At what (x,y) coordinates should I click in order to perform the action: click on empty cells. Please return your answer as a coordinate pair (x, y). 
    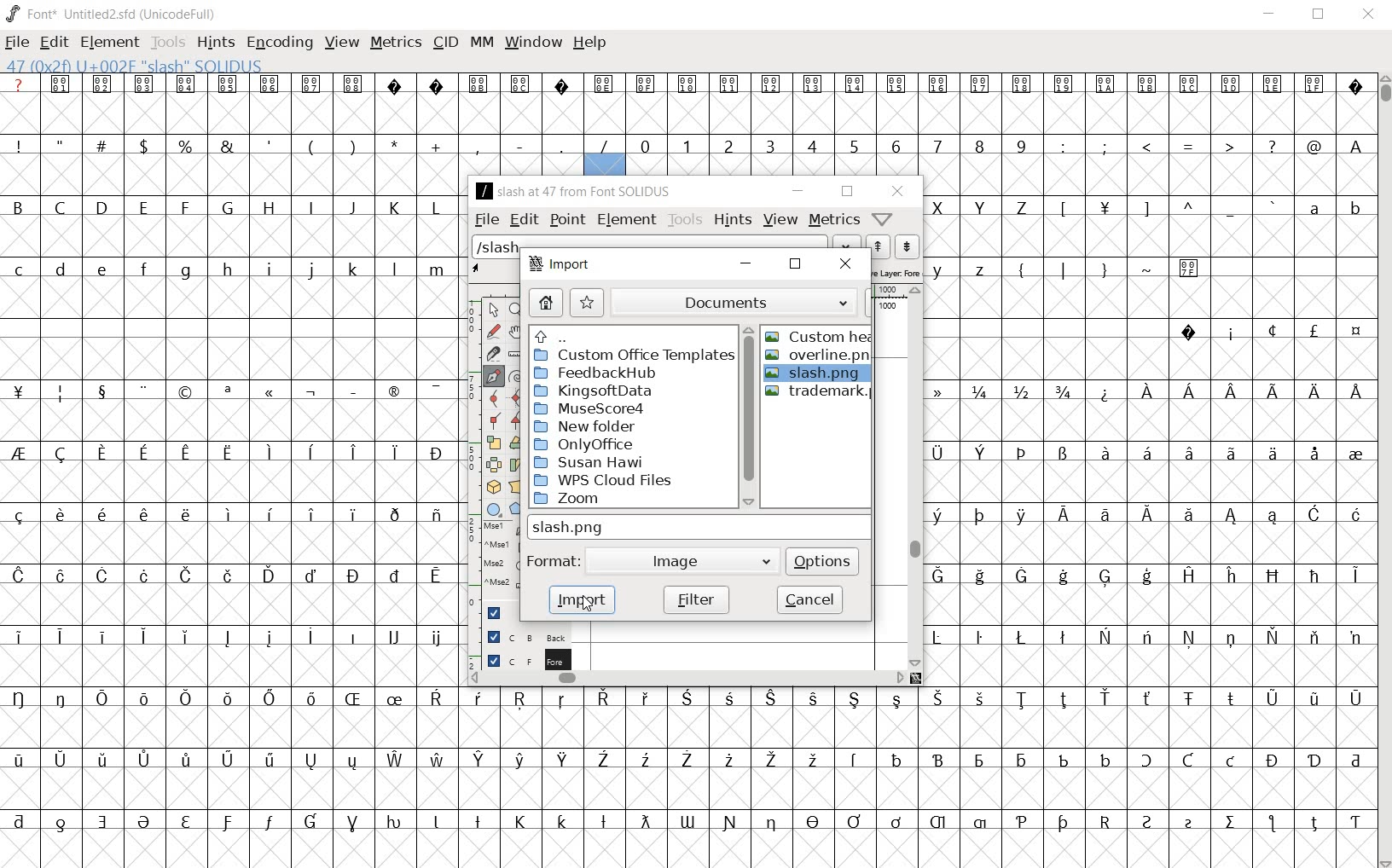
    Looking at the image, I should click on (687, 789).